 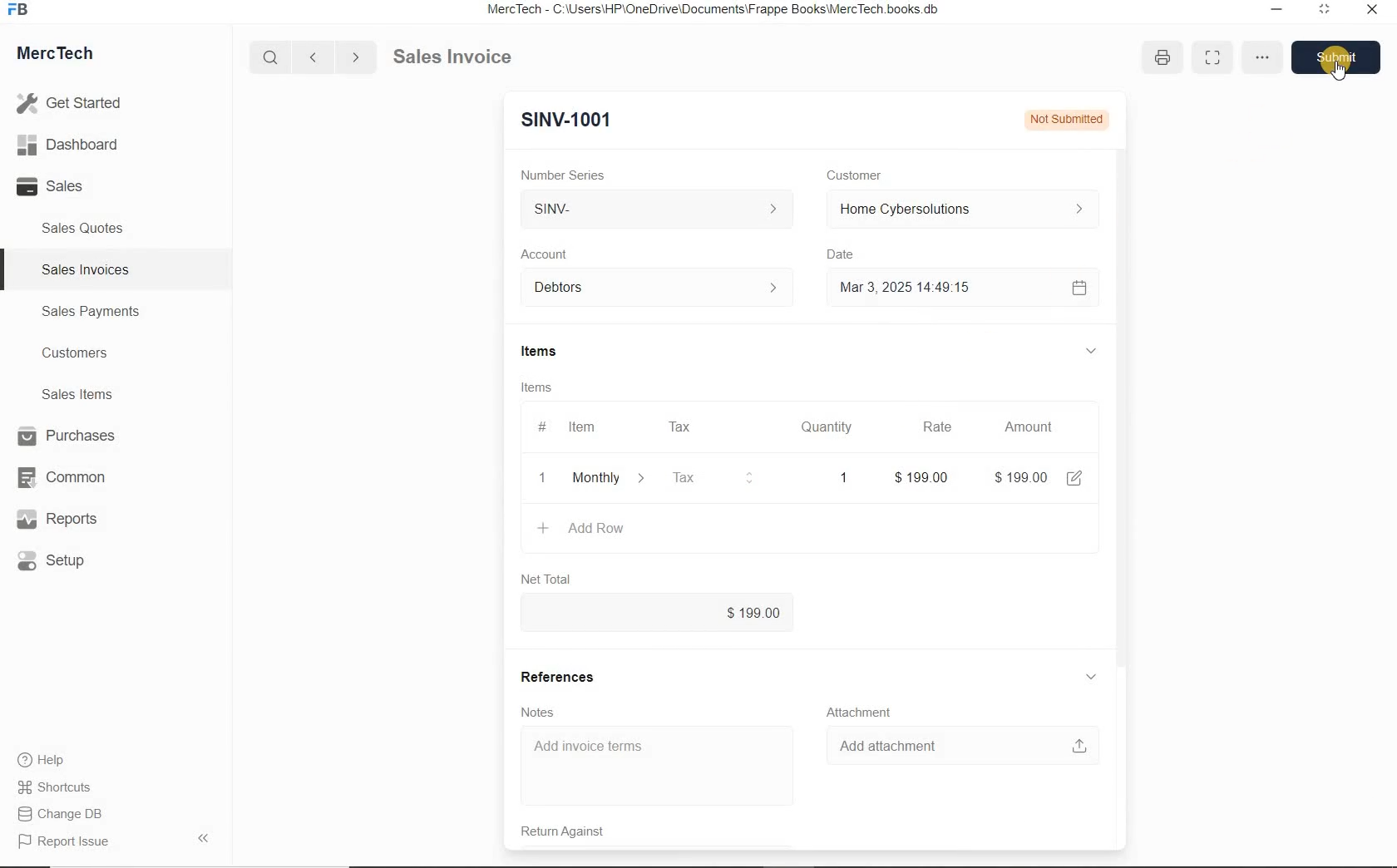 What do you see at coordinates (75, 103) in the screenshot?
I see `Get Started` at bounding box center [75, 103].